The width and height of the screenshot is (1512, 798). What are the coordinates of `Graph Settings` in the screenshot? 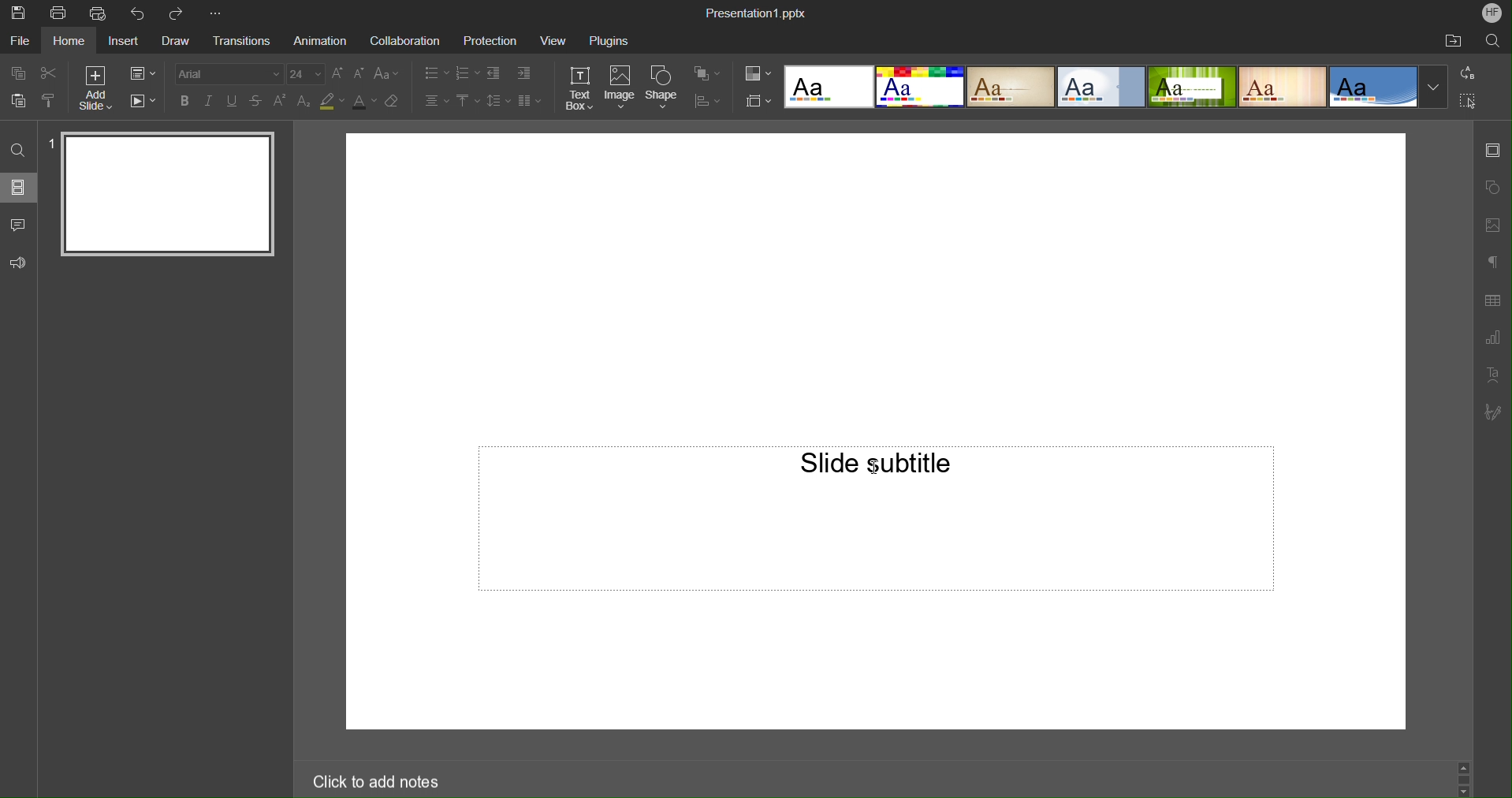 It's located at (1494, 334).